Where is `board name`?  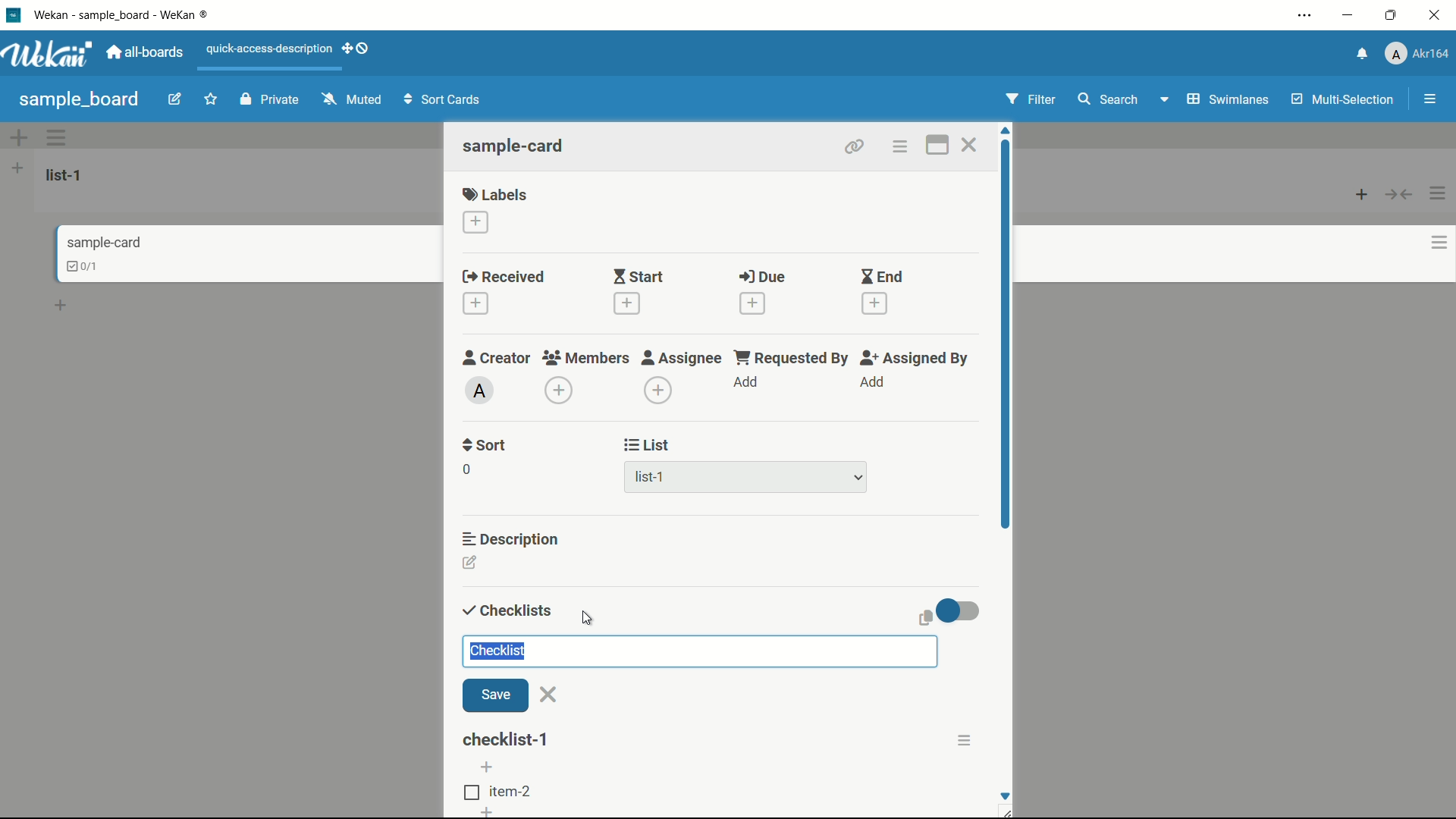 board name is located at coordinates (79, 99).